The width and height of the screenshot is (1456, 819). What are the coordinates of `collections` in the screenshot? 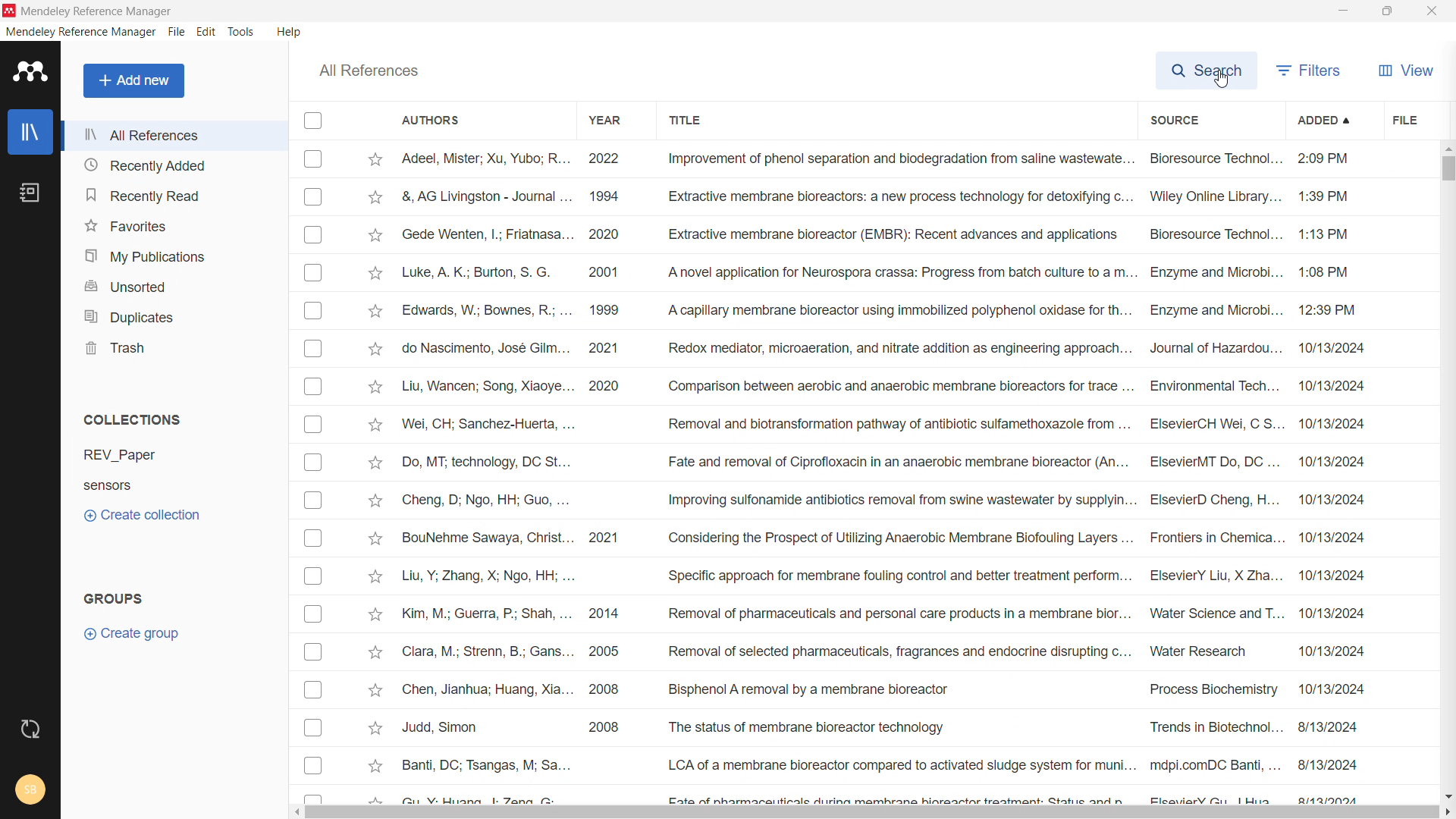 It's located at (132, 419).